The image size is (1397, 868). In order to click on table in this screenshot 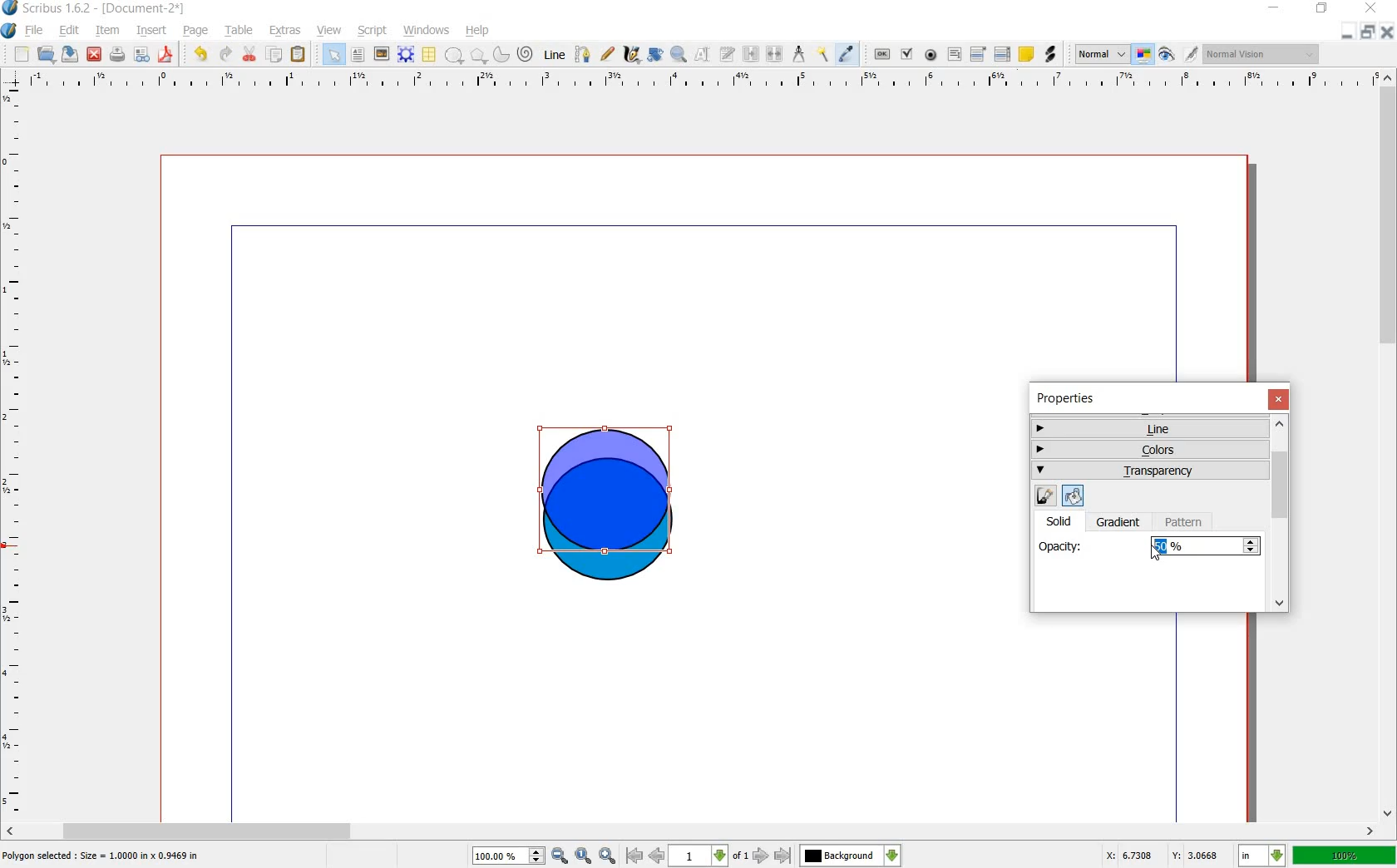, I will do `click(428, 55)`.